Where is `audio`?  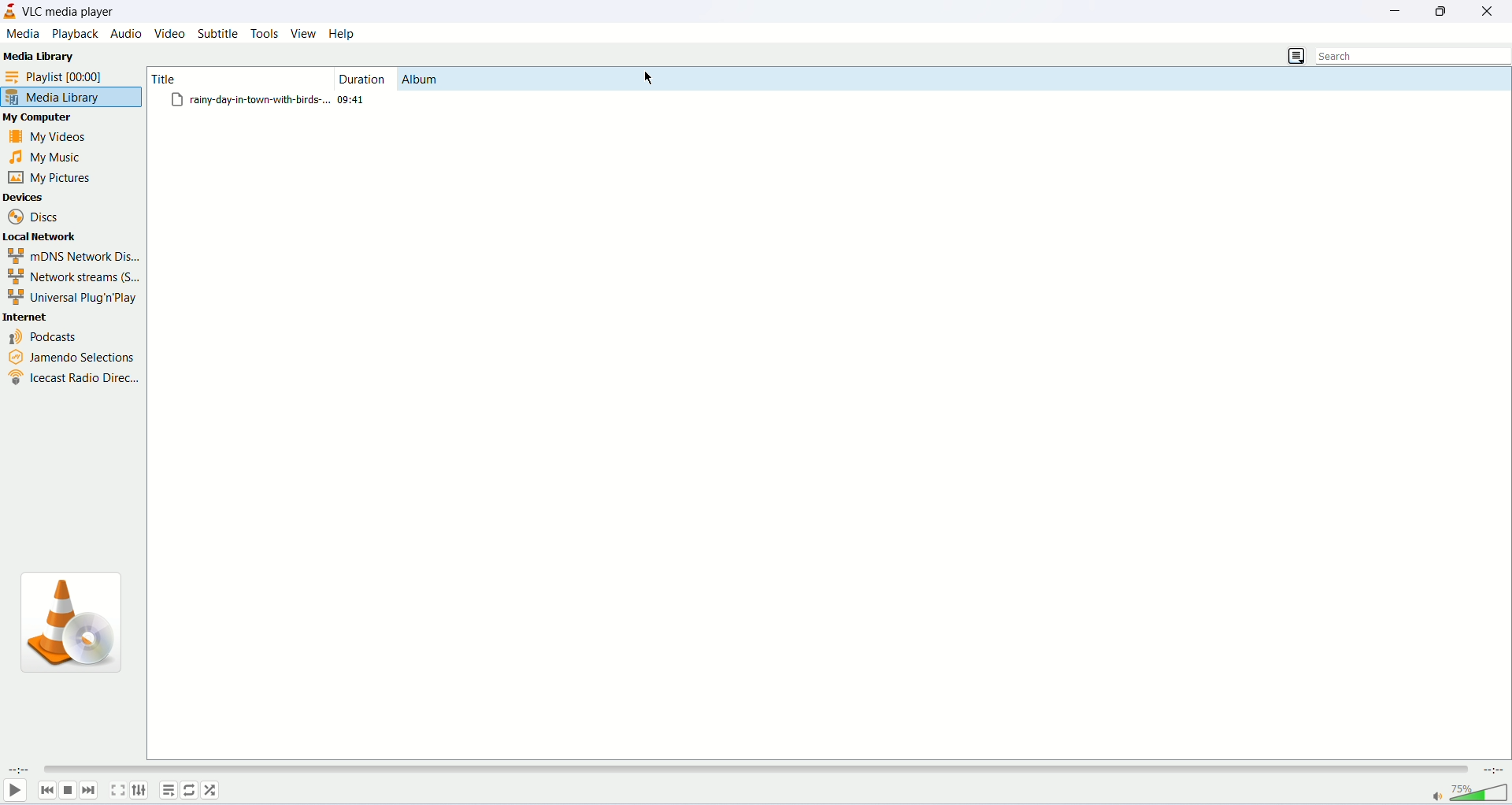
audio is located at coordinates (127, 32).